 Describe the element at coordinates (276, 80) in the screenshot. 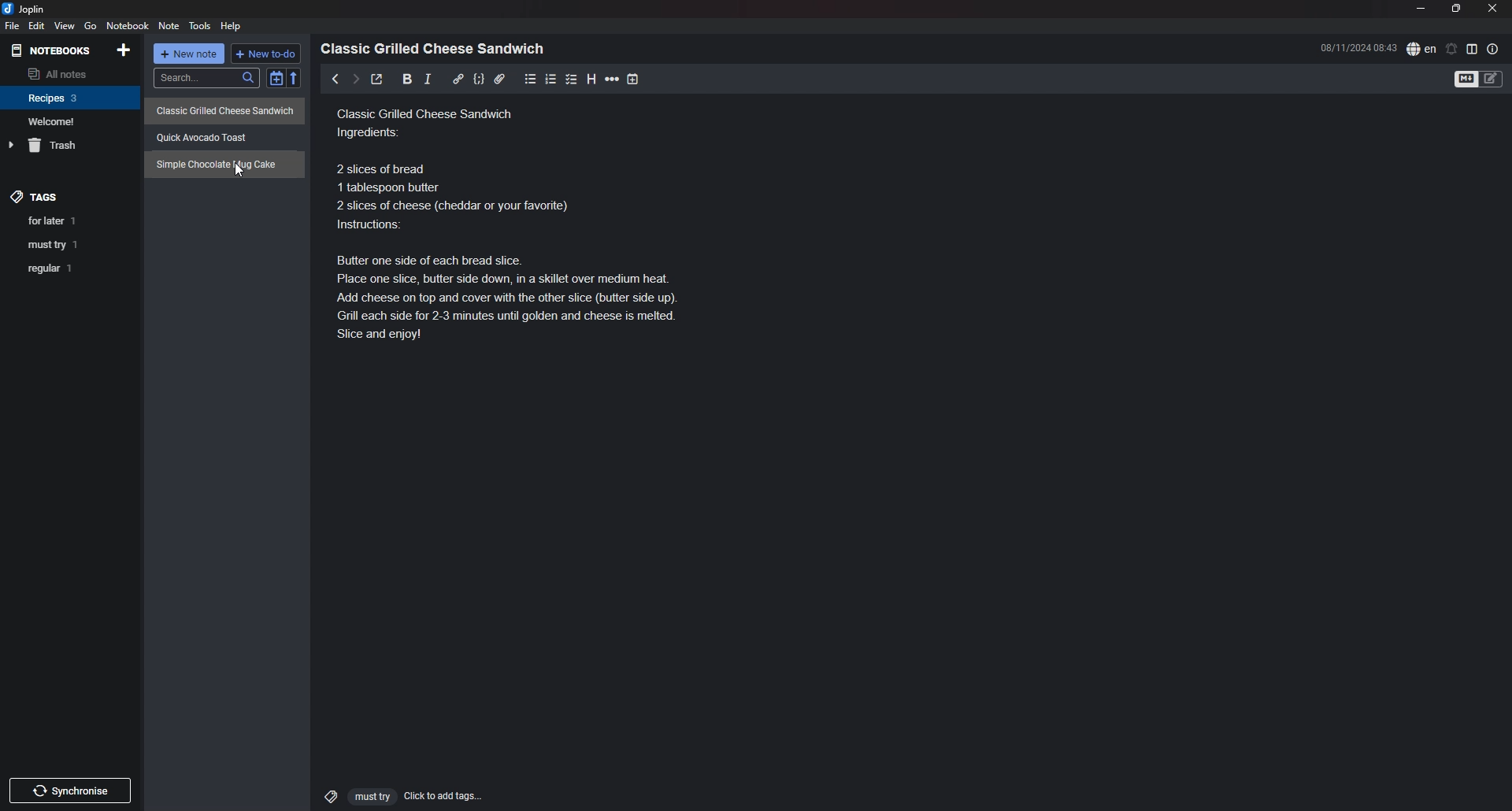

I see `toggle sort order` at that location.